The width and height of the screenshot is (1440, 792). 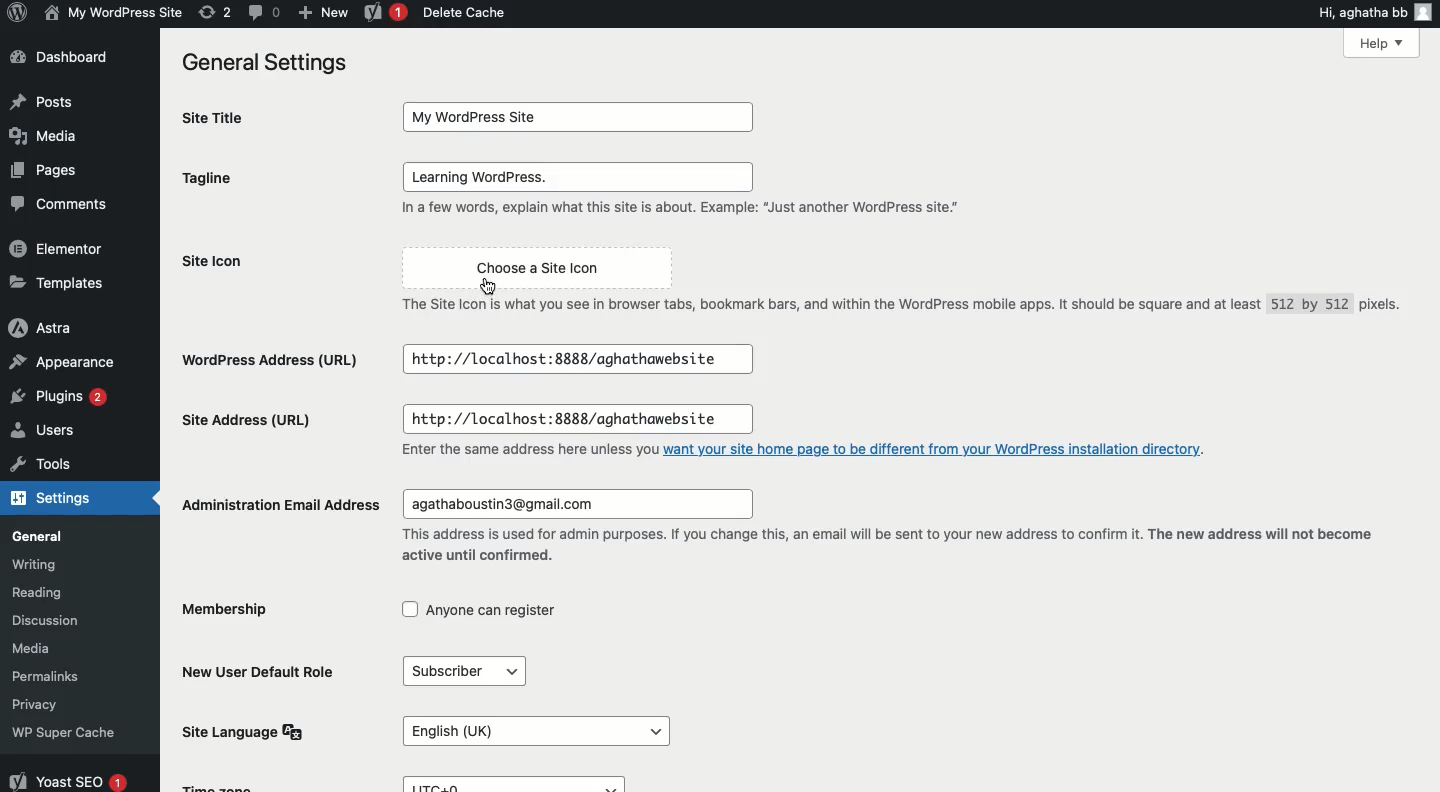 I want to click on Administration email address, so click(x=281, y=505).